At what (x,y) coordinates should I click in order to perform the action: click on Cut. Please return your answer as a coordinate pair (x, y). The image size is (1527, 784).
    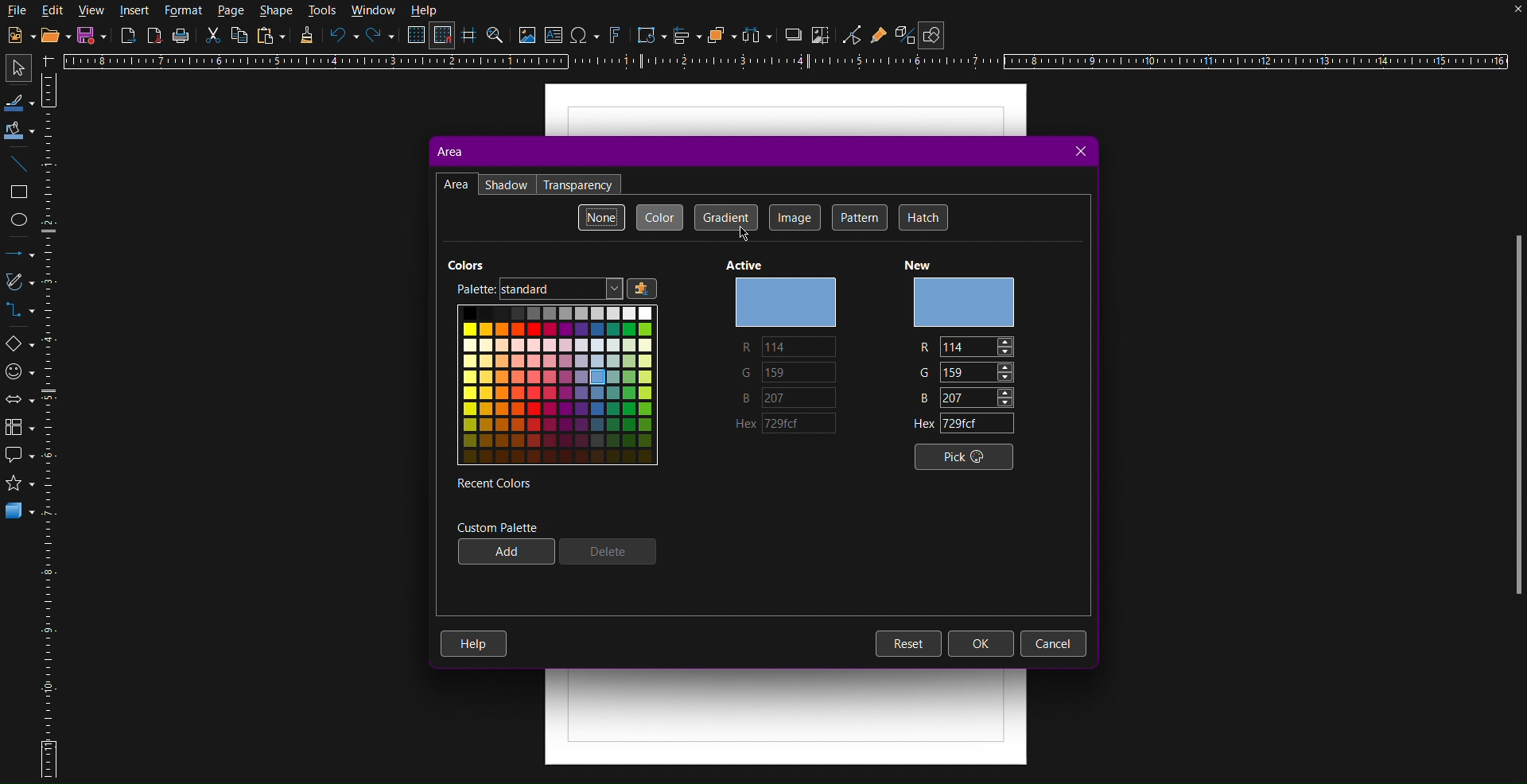
    Looking at the image, I should click on (214, 39).